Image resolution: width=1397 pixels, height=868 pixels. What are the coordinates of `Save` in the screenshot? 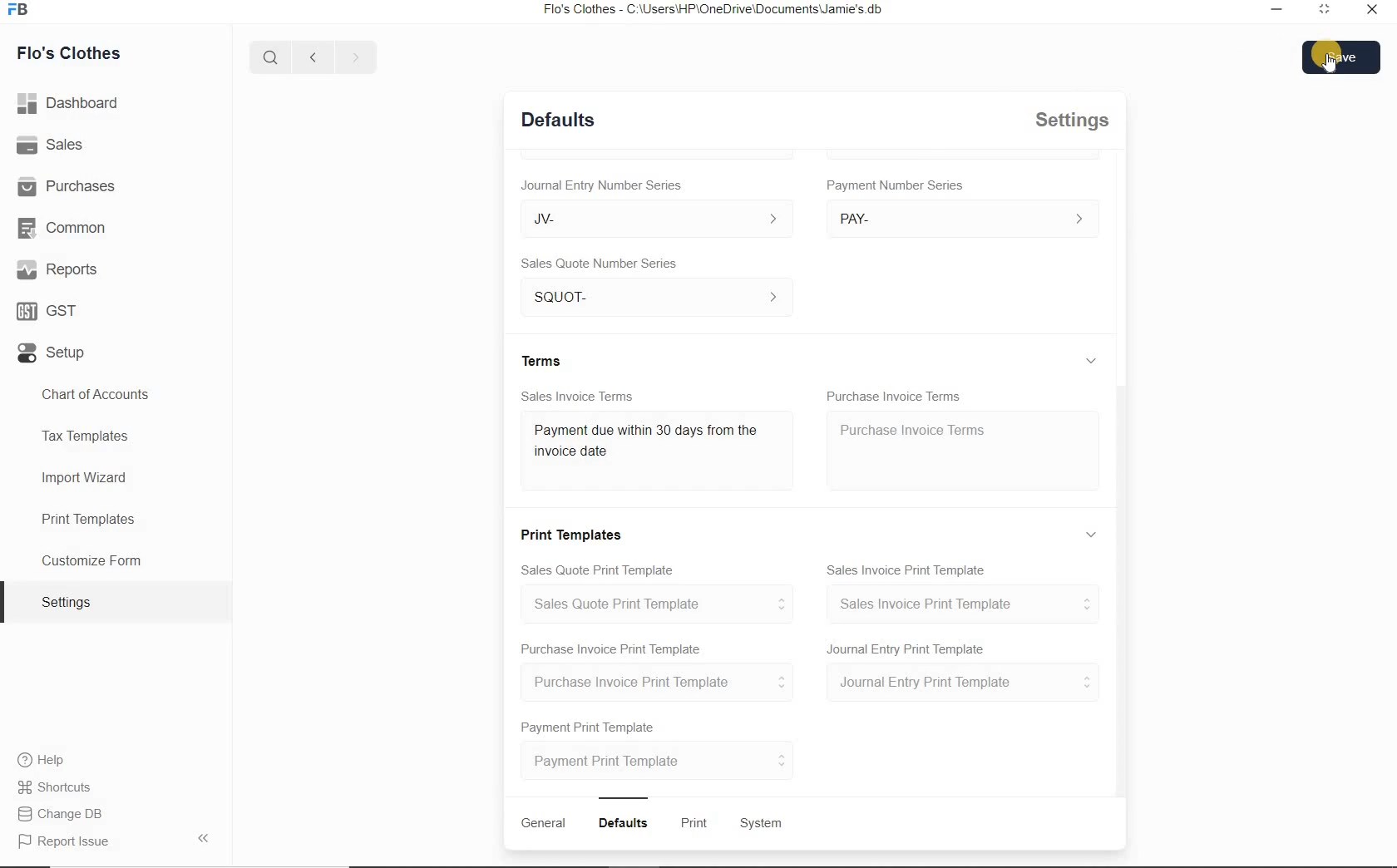 It's located at (1341, 58).